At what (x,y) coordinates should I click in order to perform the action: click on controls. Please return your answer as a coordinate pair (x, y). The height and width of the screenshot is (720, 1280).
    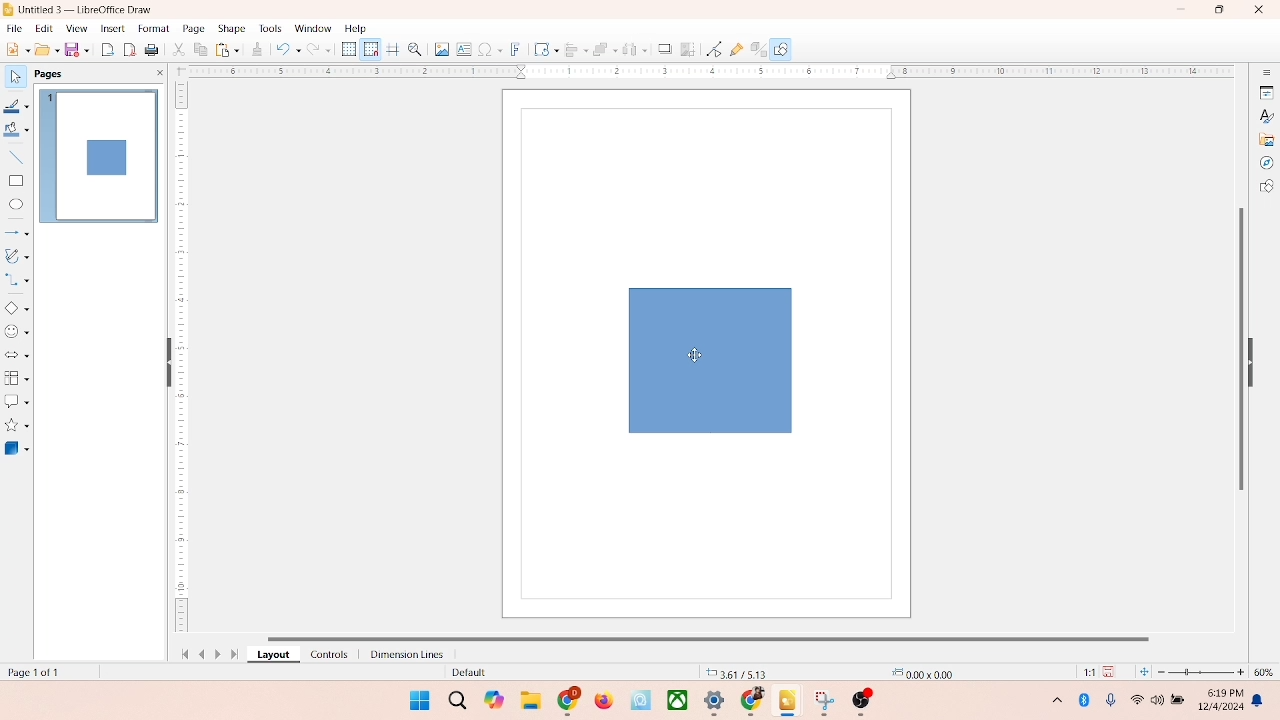
    Looking at the image, I should click on (324, 654).